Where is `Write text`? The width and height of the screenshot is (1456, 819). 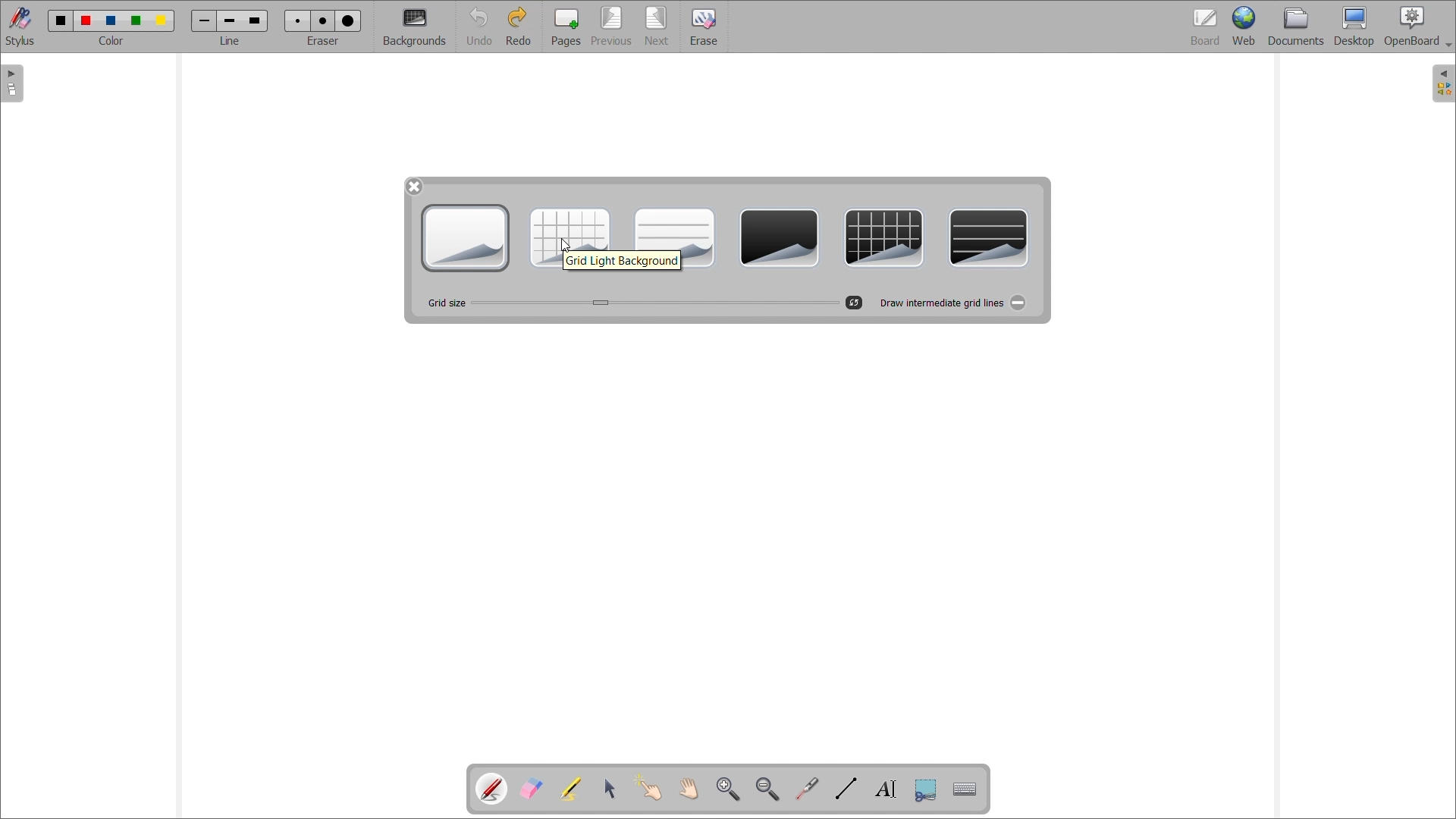 Write text is located at coordinates (886, 790).